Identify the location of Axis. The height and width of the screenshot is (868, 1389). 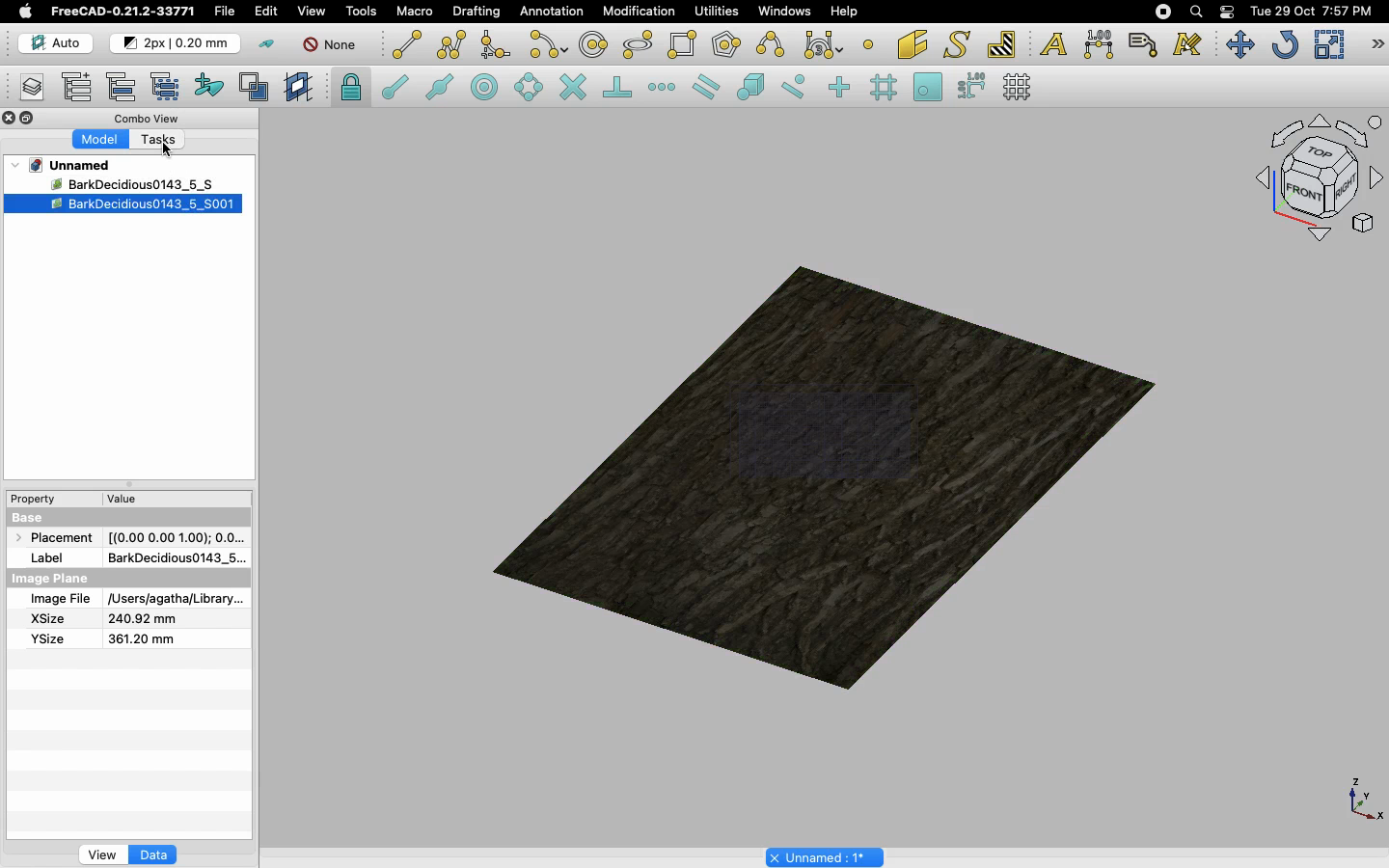
(1361, 798).